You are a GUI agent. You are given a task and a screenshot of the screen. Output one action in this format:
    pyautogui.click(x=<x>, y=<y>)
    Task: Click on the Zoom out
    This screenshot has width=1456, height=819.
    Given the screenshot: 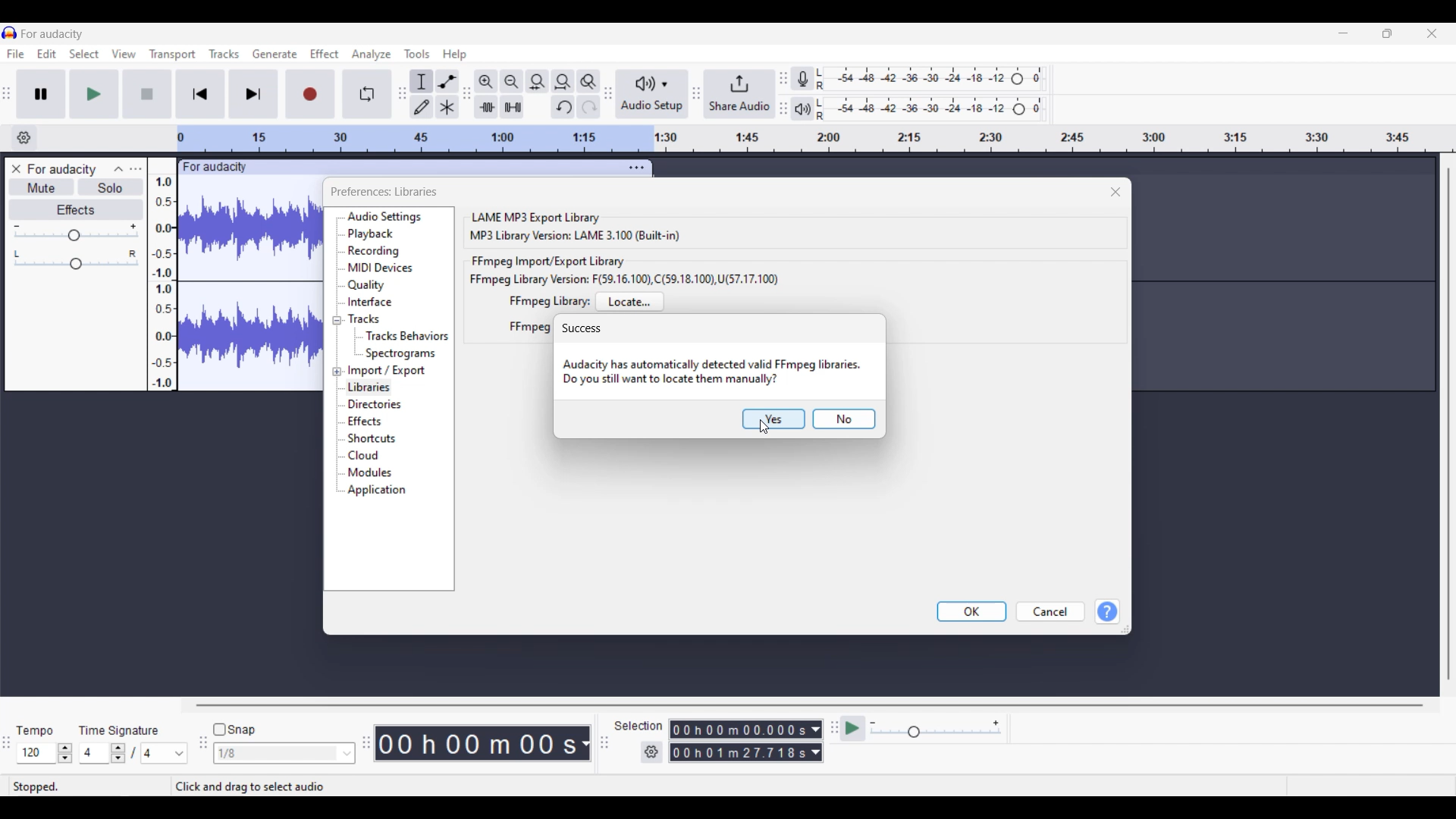 What is the action you would take?
    pyautogui.click(x=511, y=81)
    